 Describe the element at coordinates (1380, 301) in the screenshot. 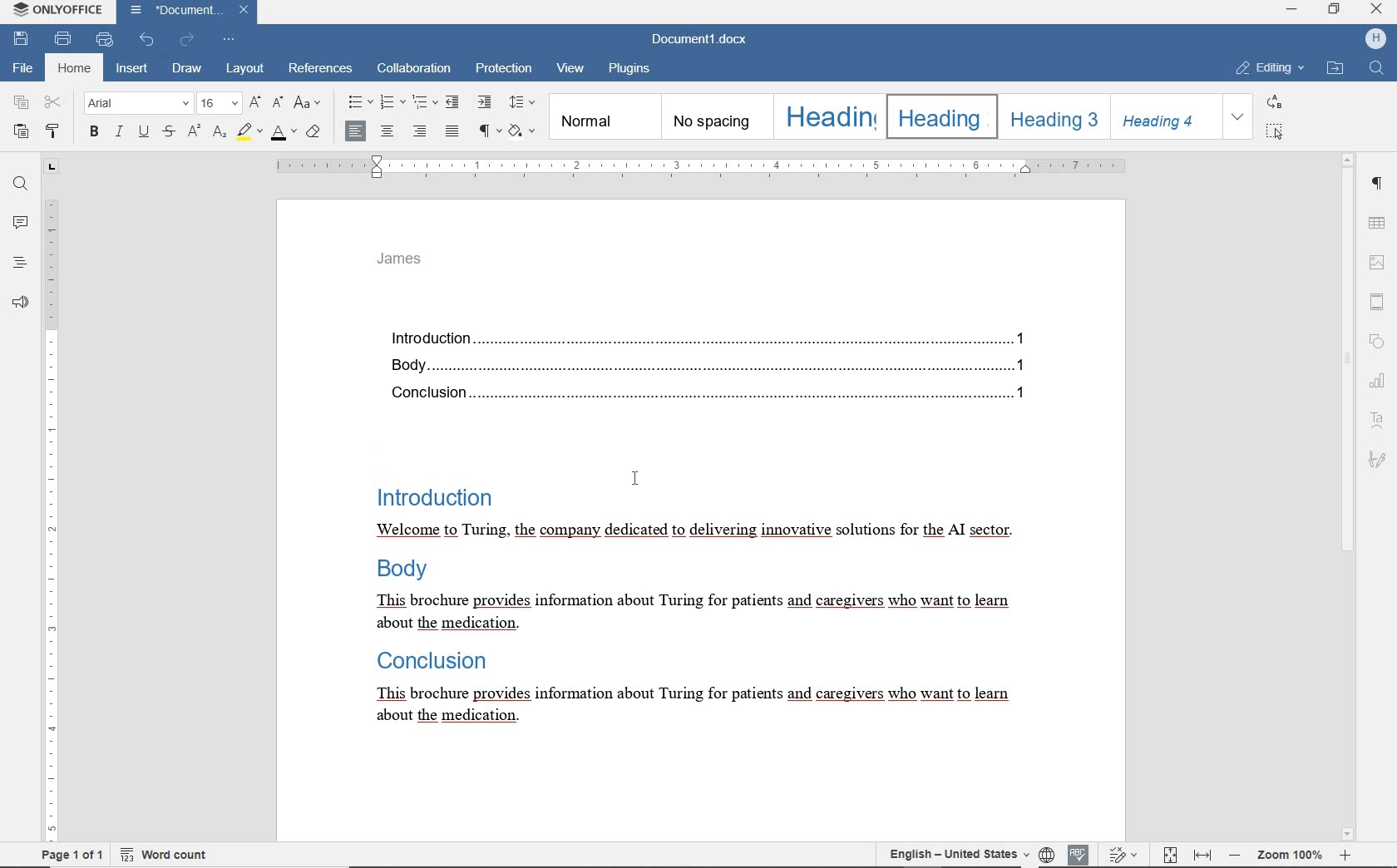

I see `header & footer` at that location.